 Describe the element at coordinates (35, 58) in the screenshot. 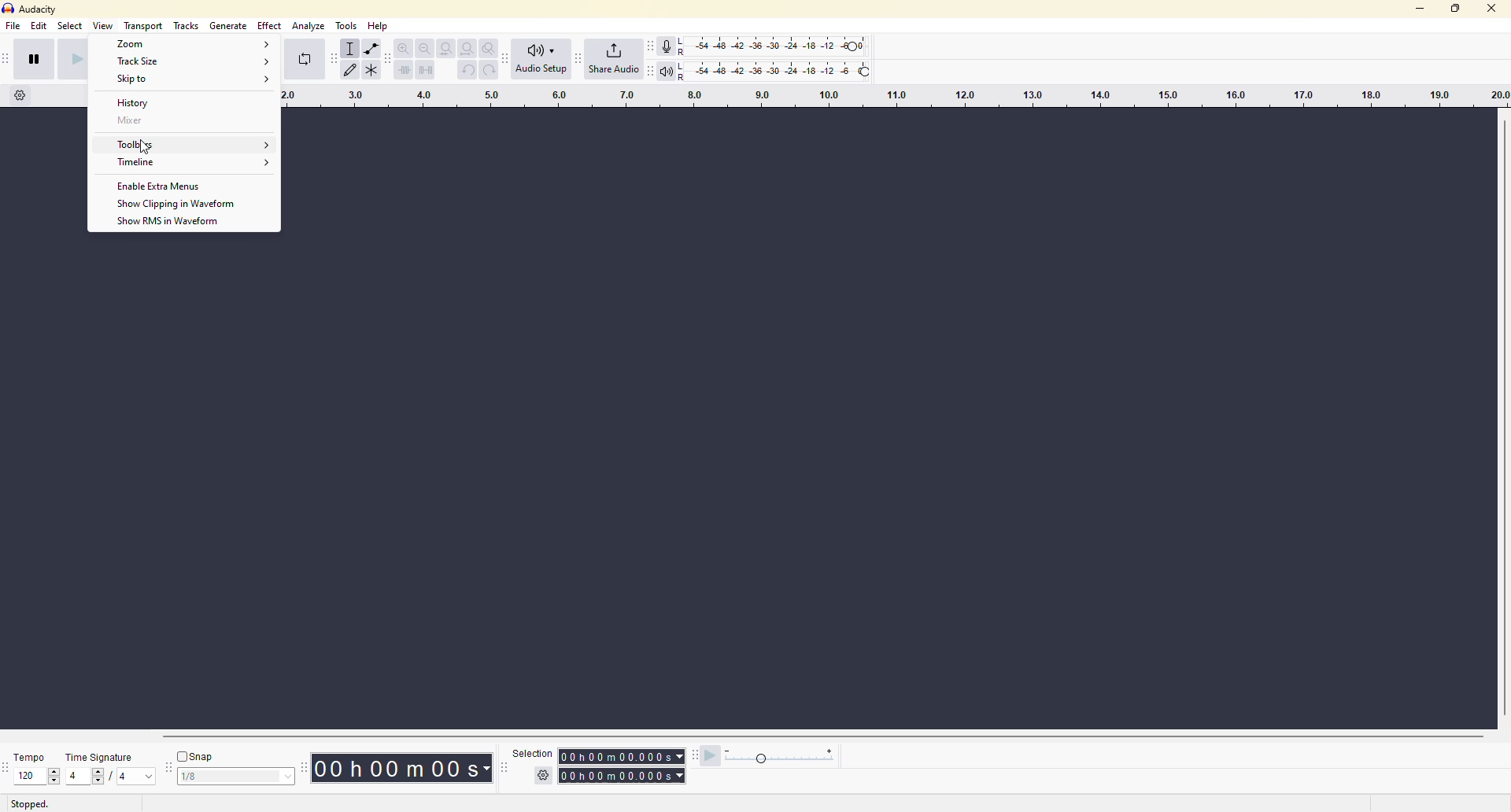

I see `pause` at that location.